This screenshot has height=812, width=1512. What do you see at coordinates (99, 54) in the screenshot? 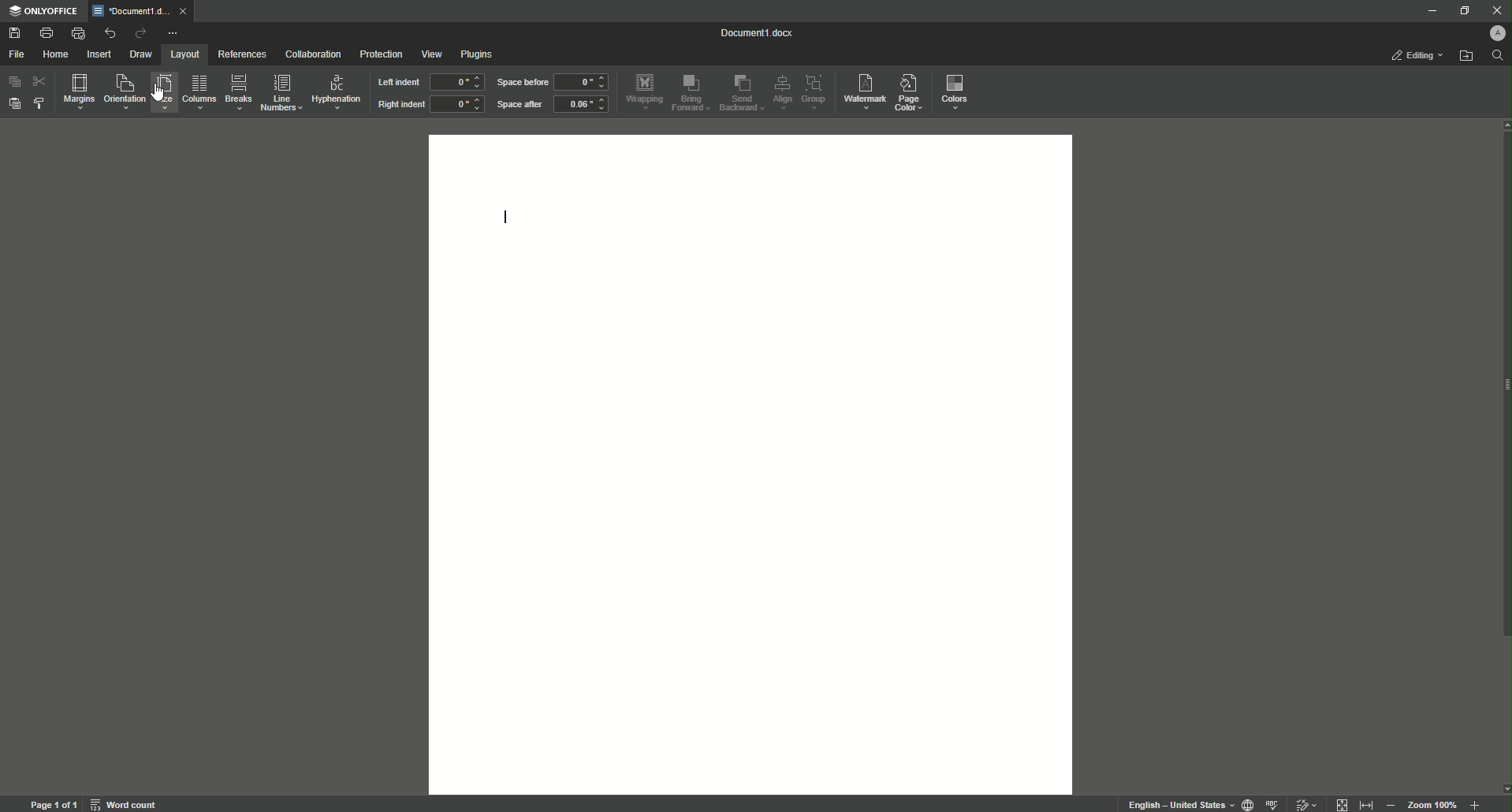
I see `Insert` at bounding box center [99, 54].